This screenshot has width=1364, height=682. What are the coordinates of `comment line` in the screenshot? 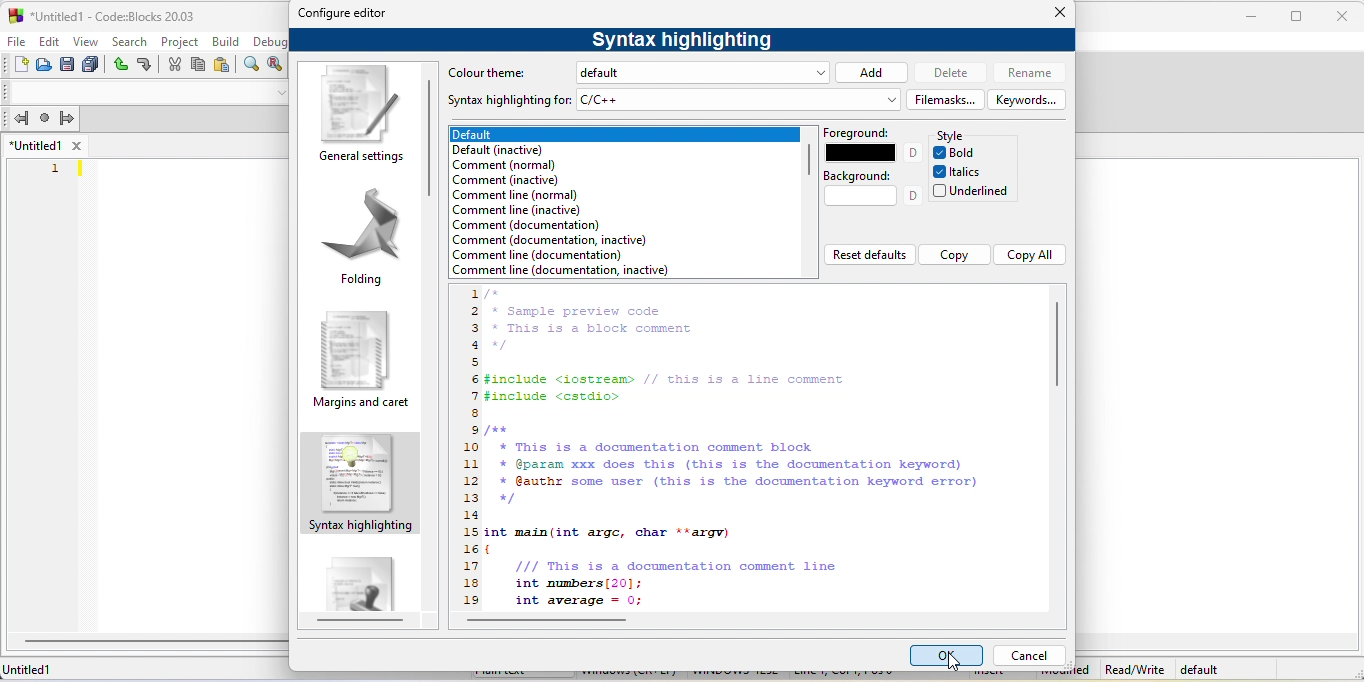 It's located at (561, 271).